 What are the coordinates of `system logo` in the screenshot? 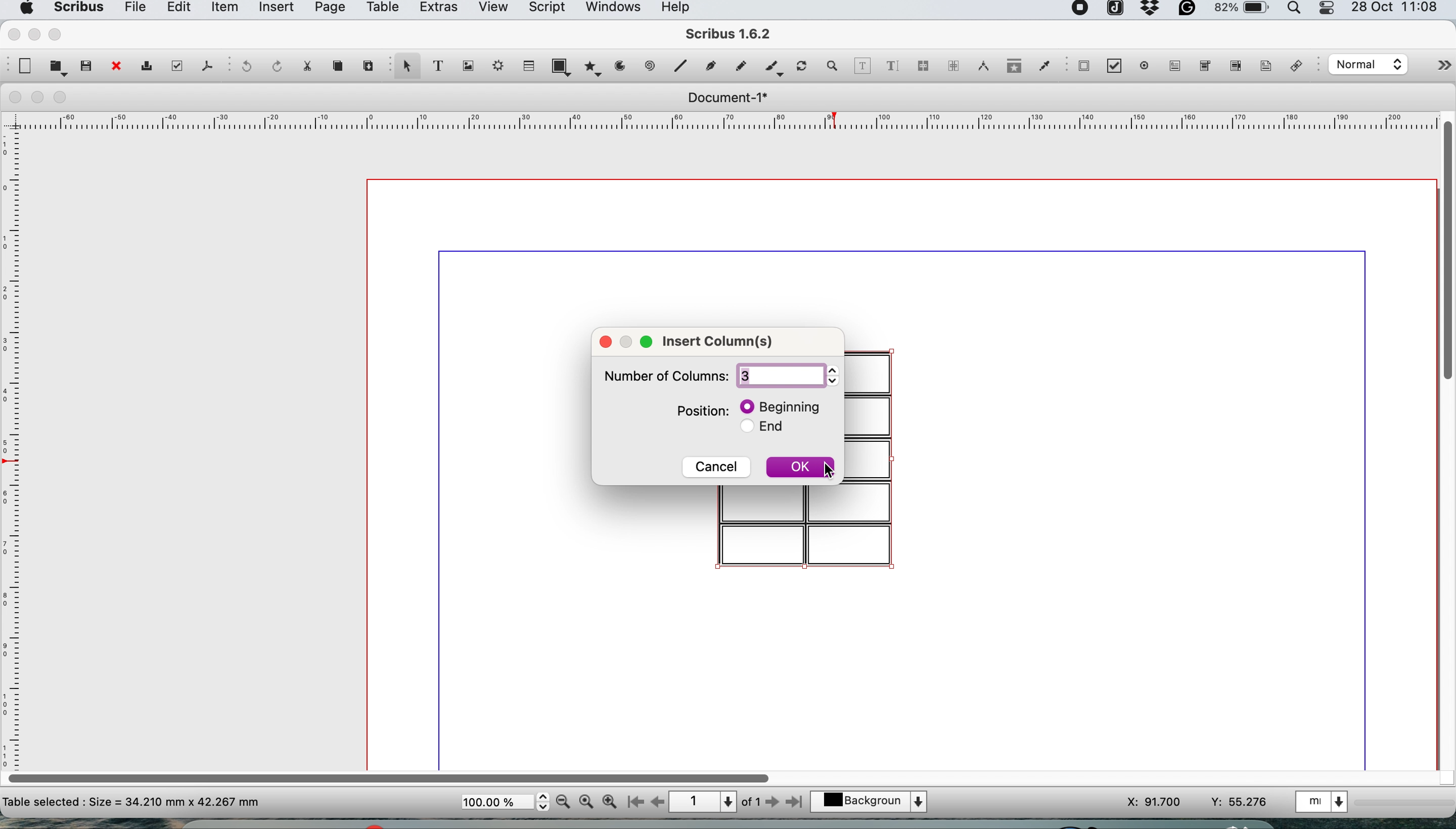 It's located at (24, 9).